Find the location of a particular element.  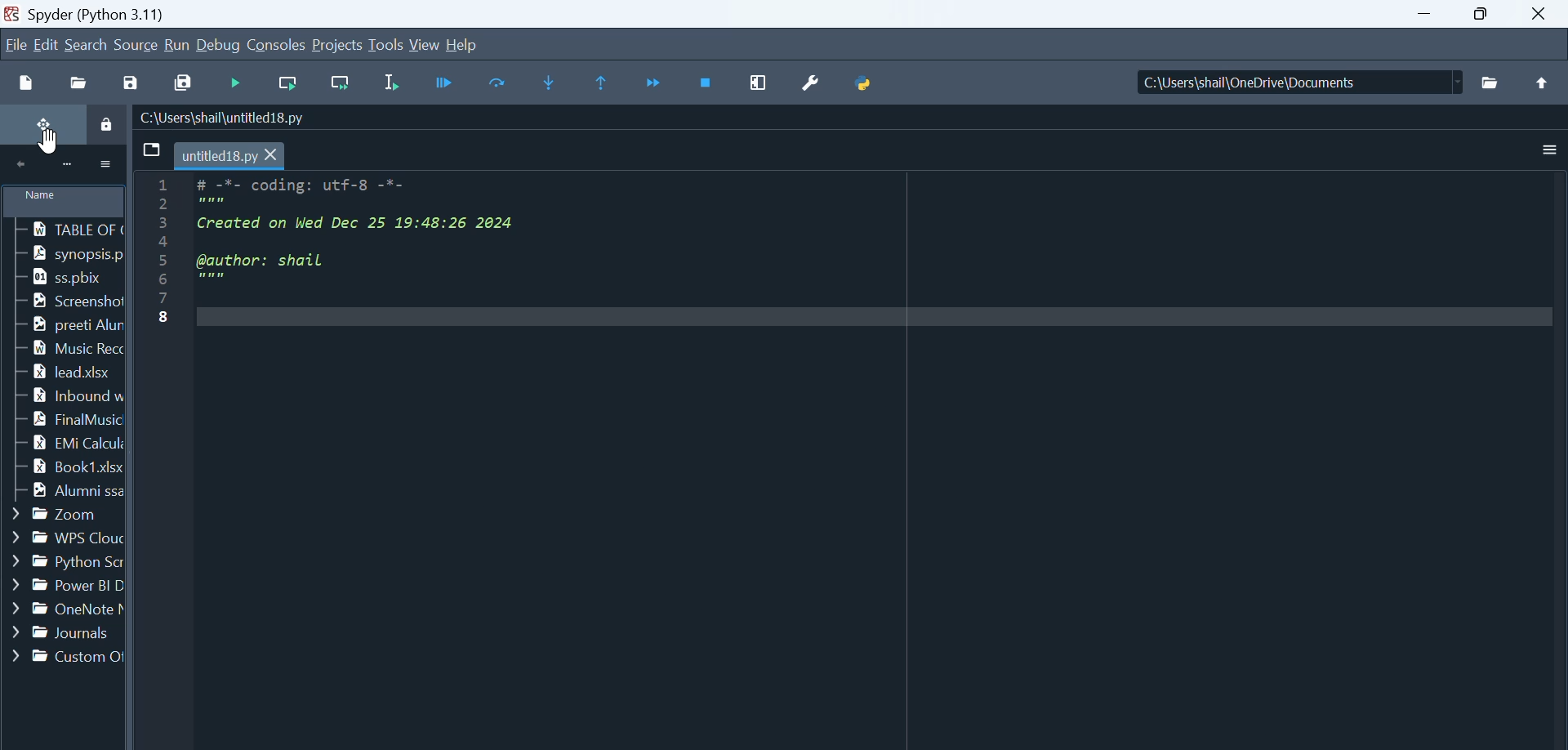

line number is located at coordinates (163, 352).